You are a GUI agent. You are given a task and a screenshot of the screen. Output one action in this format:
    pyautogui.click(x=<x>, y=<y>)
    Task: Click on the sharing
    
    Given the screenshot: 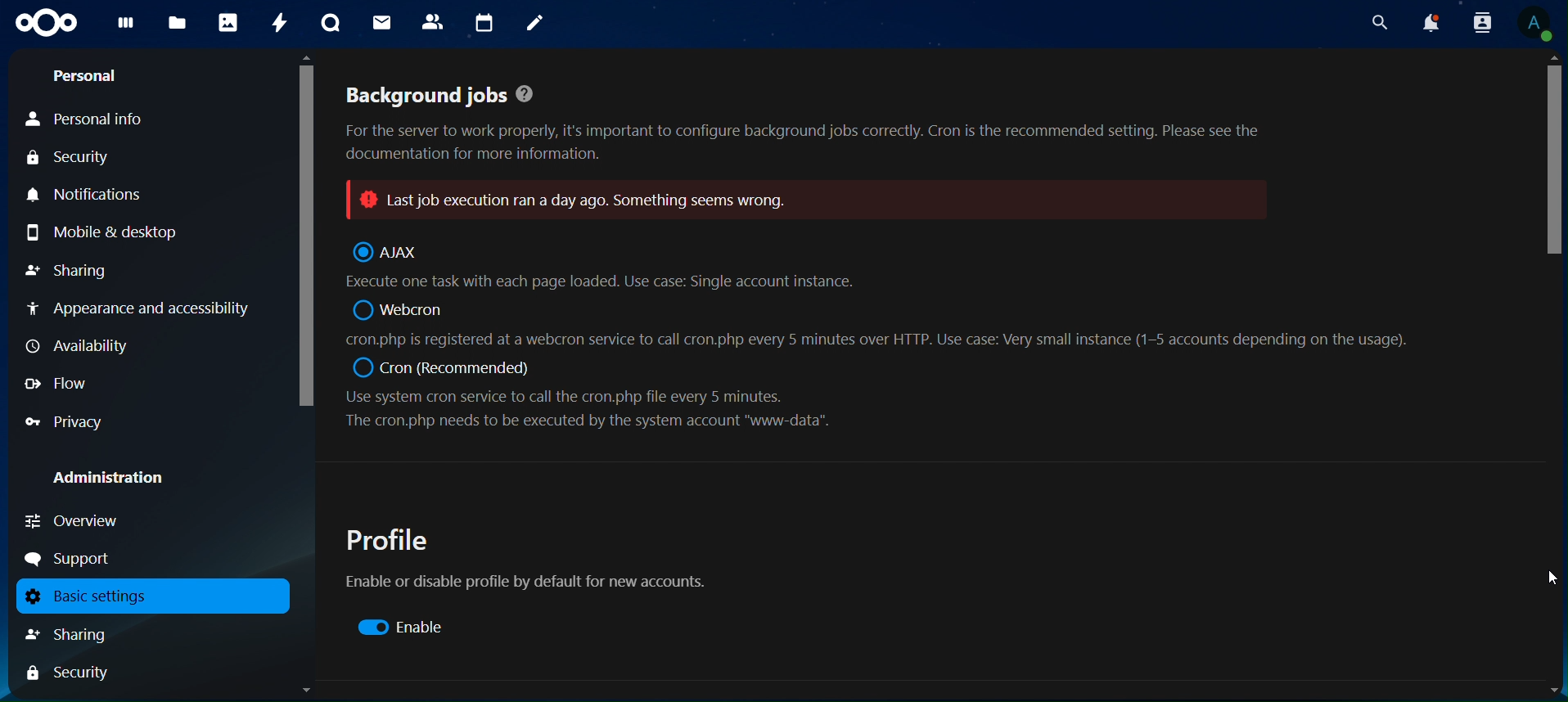 What is the action you would take?
    pyautogui.click(x=70, y=269)
    